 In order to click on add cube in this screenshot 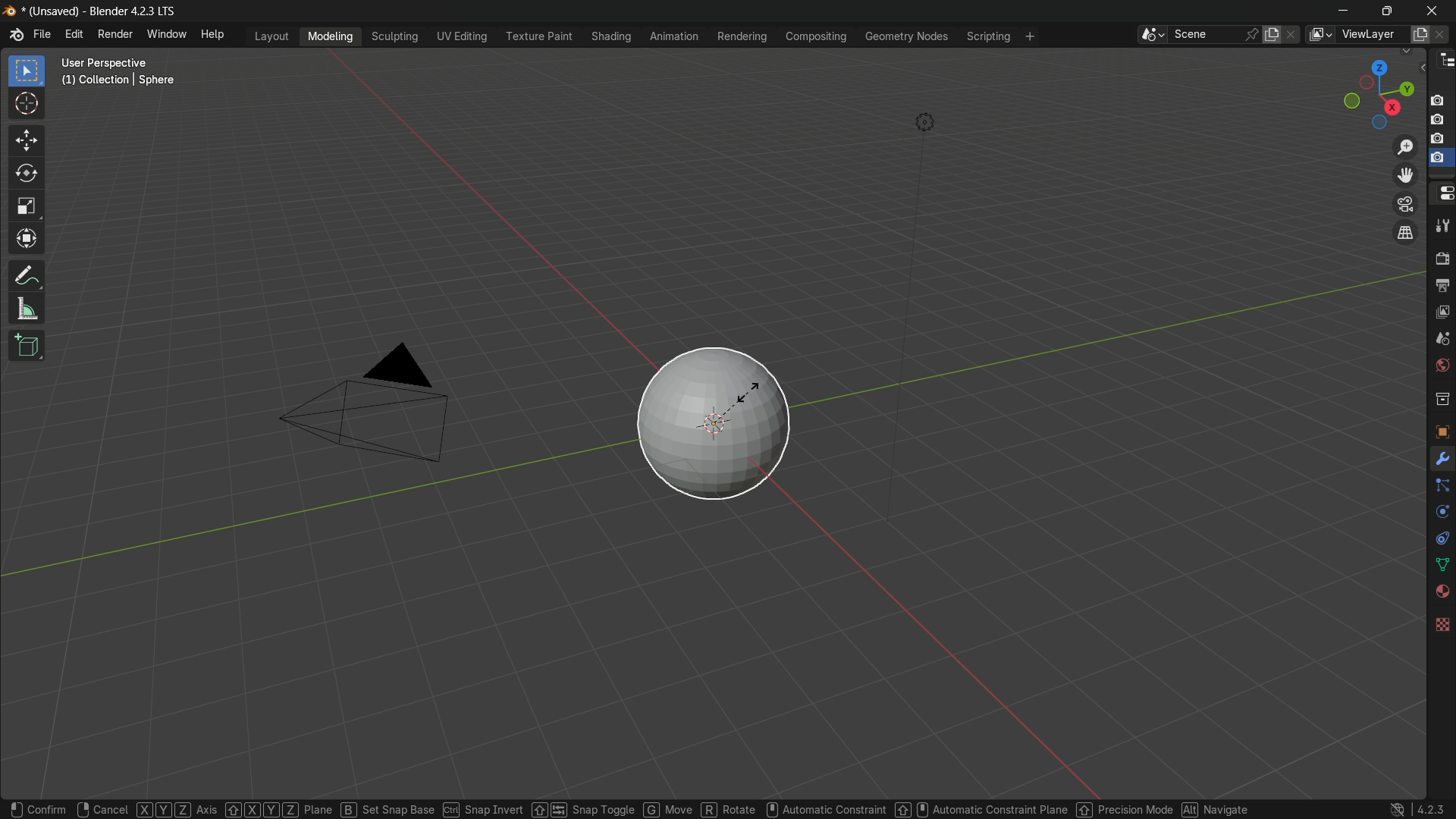, I will do `click(27, 344)`.